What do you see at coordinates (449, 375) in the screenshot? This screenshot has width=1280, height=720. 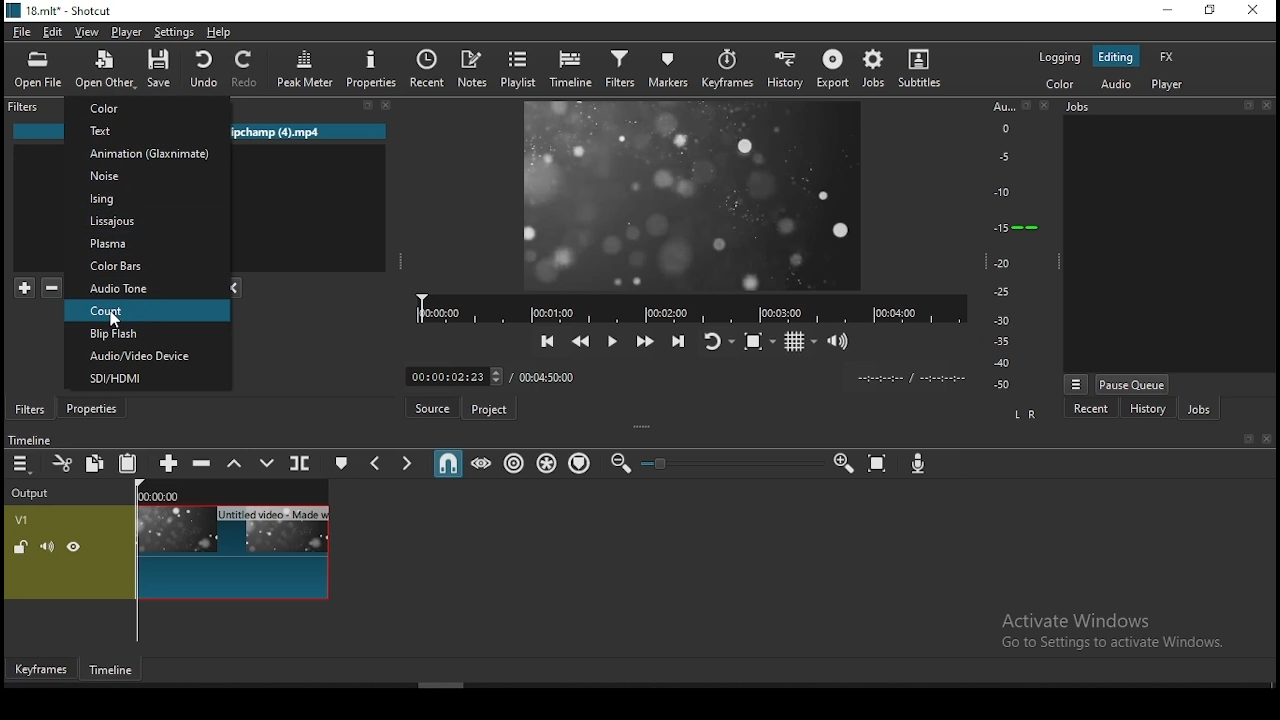 I see `elapsed time` at bounding box center [449, 375].